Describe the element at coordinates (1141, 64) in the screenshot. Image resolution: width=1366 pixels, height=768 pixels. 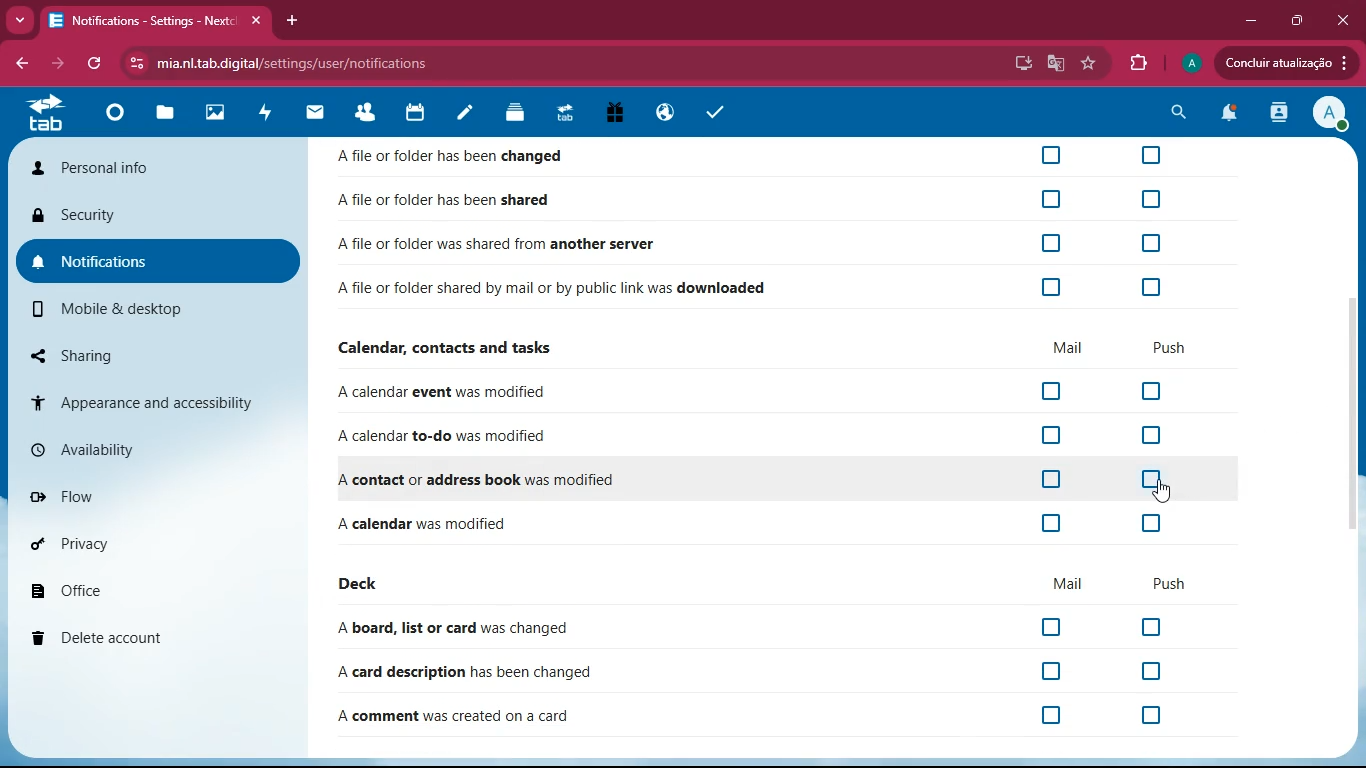
I see `extensions` at that location.